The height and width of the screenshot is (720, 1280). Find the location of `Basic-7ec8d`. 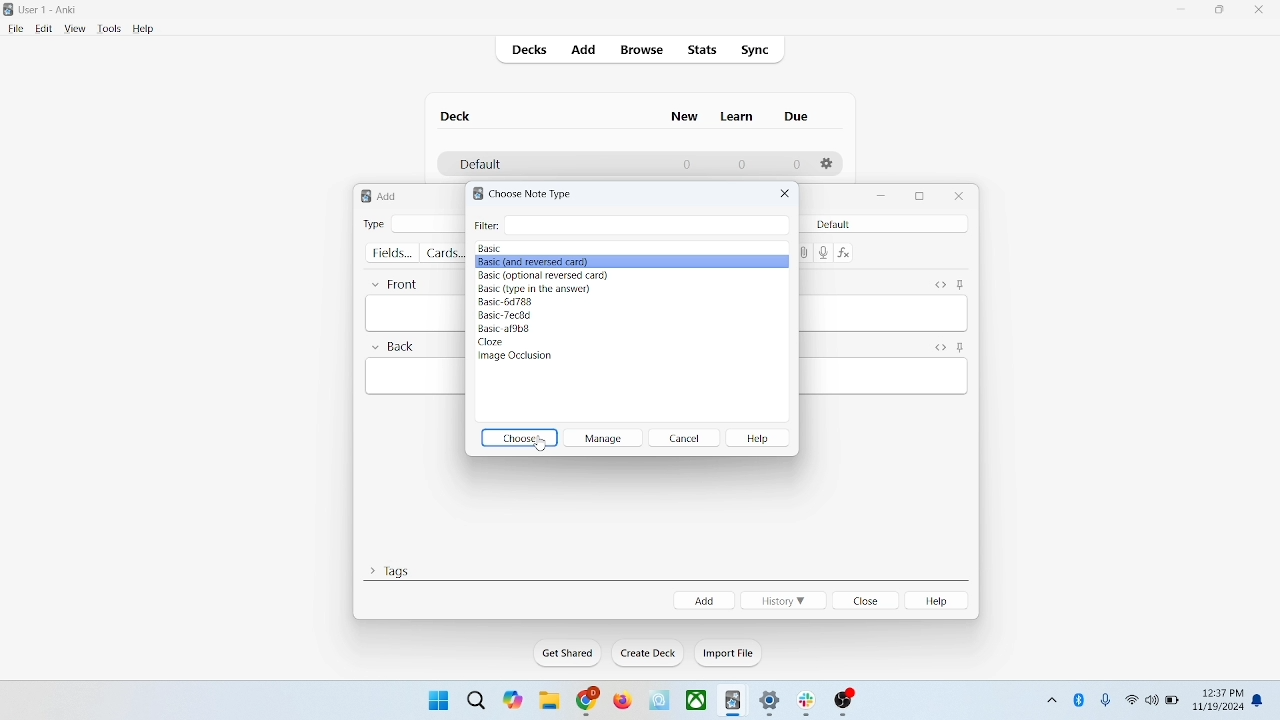

Basic-7ec8d is located at coordinates (509, 315).